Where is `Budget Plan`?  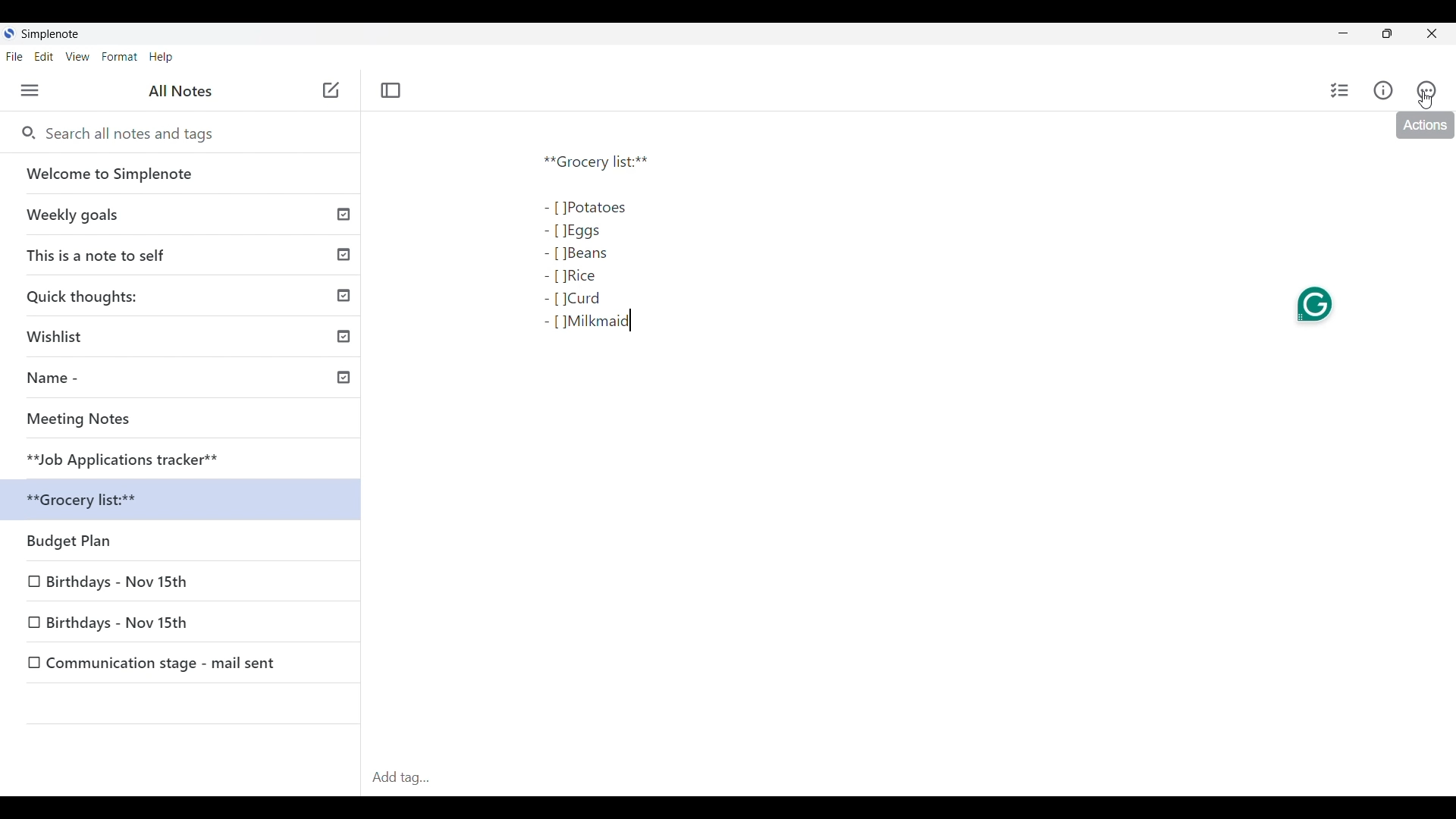
Budget Plan is located at coordinates (185, 543).